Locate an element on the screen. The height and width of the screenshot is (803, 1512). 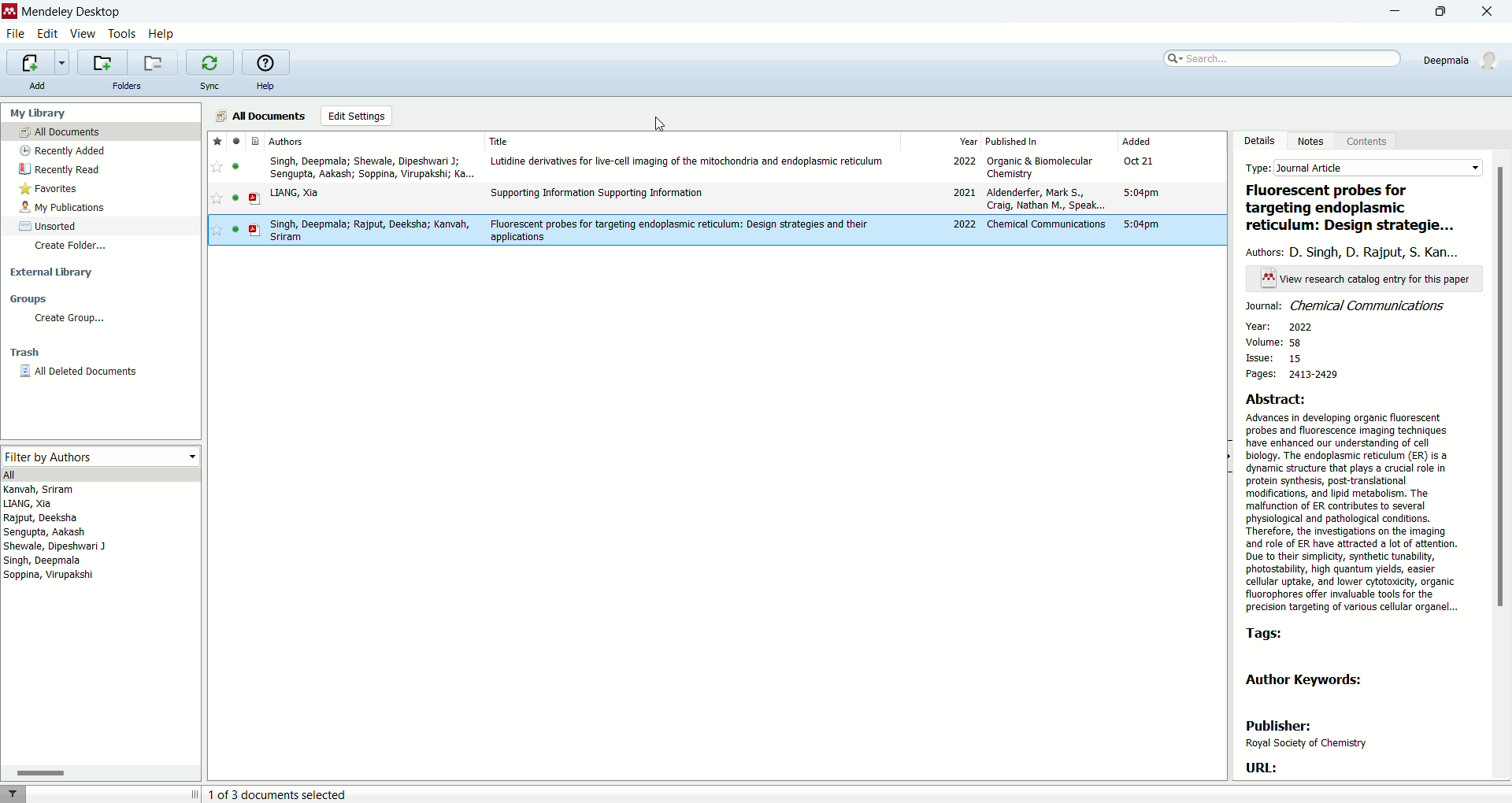
Fluorescent probes for targeting endoplasmic reticulum: Design strategies and their applications is located at coordinates (680, 230).